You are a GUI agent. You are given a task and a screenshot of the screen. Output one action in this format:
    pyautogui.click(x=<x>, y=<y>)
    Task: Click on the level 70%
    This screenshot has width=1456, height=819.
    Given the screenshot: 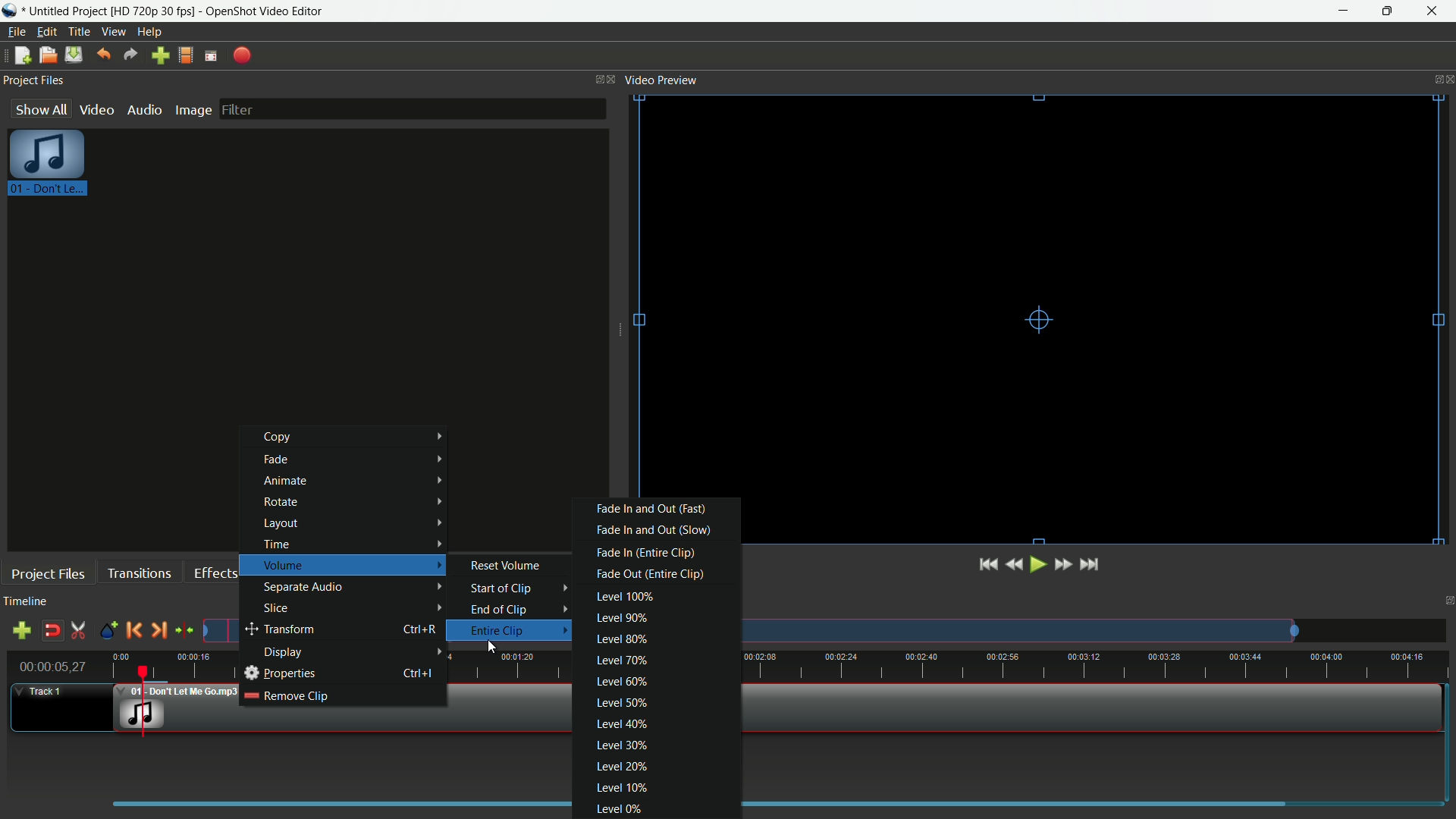 What is the action you would take?
    pyautogui.click(x=620, y=661)
    